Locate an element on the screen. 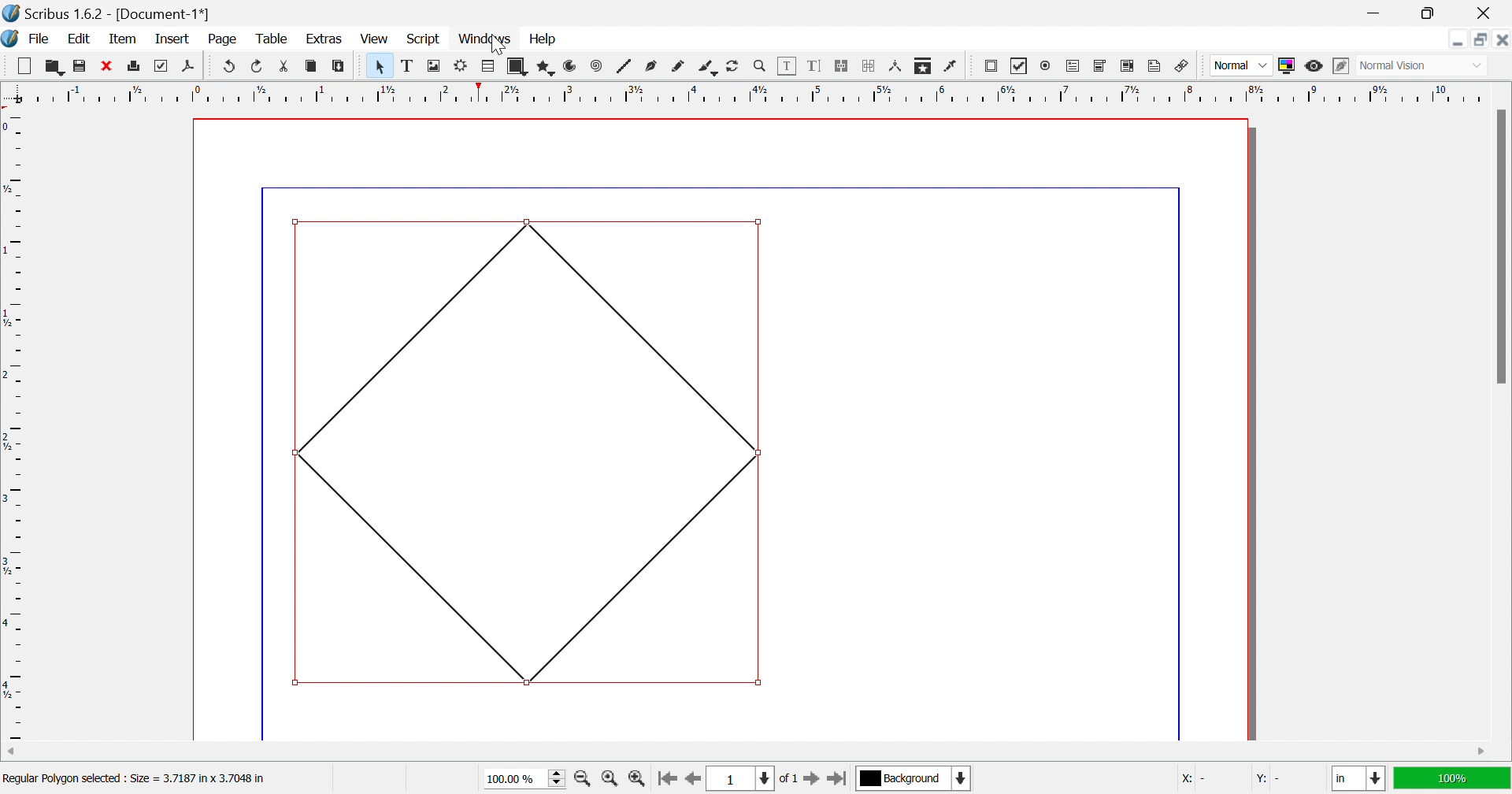  normal vision is located at coordinates (1410, 66).